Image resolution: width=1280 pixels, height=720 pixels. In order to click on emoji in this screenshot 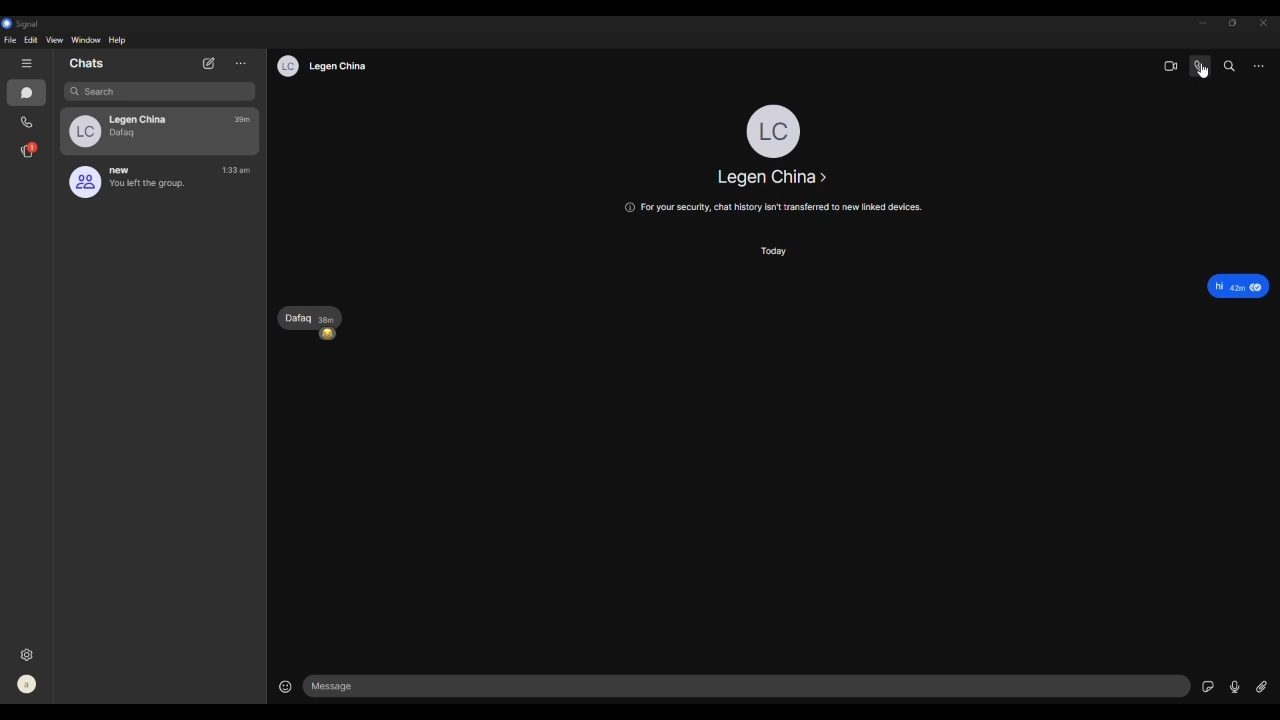, I will do `click(287, 686)`.